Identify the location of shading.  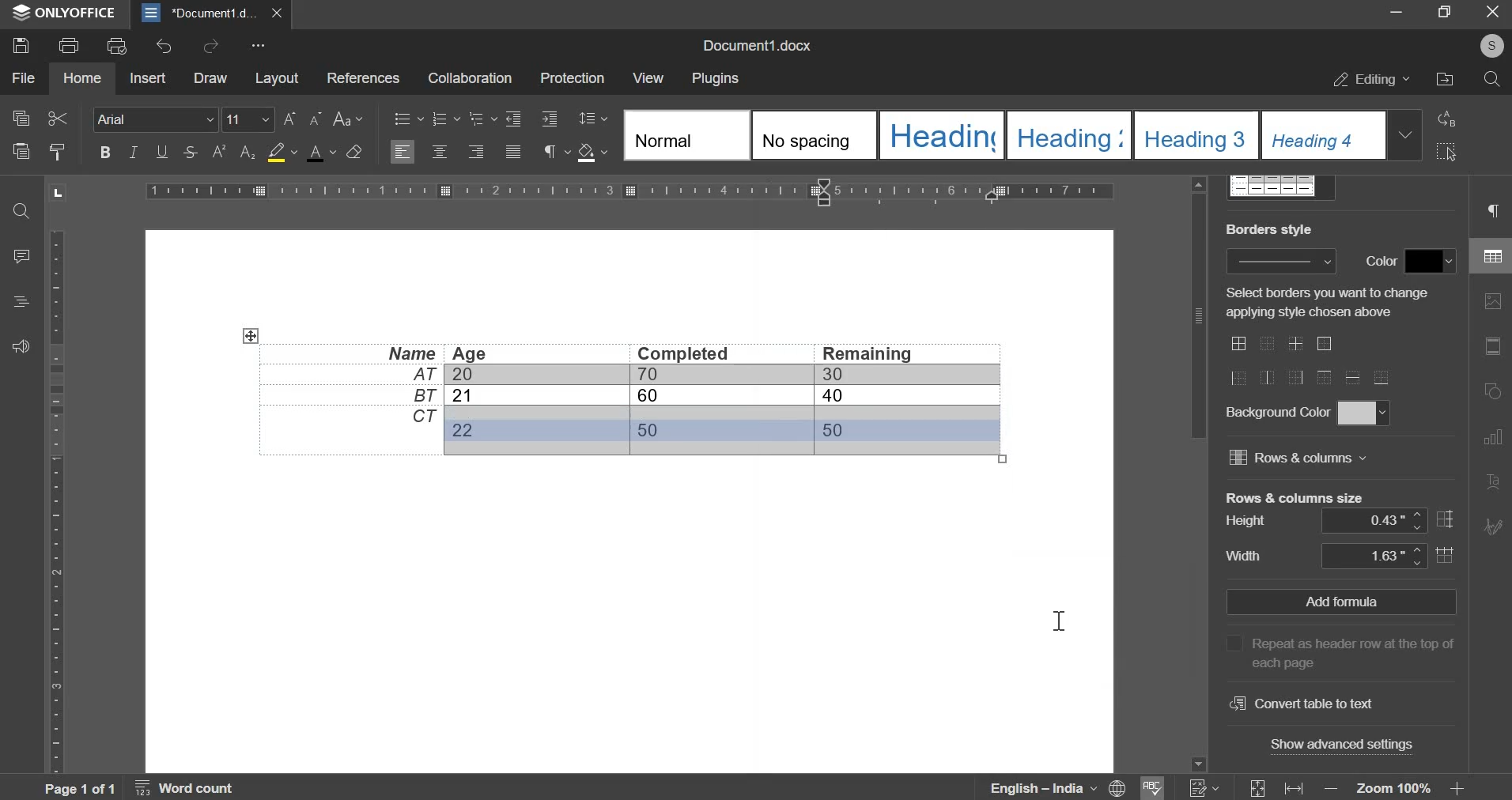
(587, 152).